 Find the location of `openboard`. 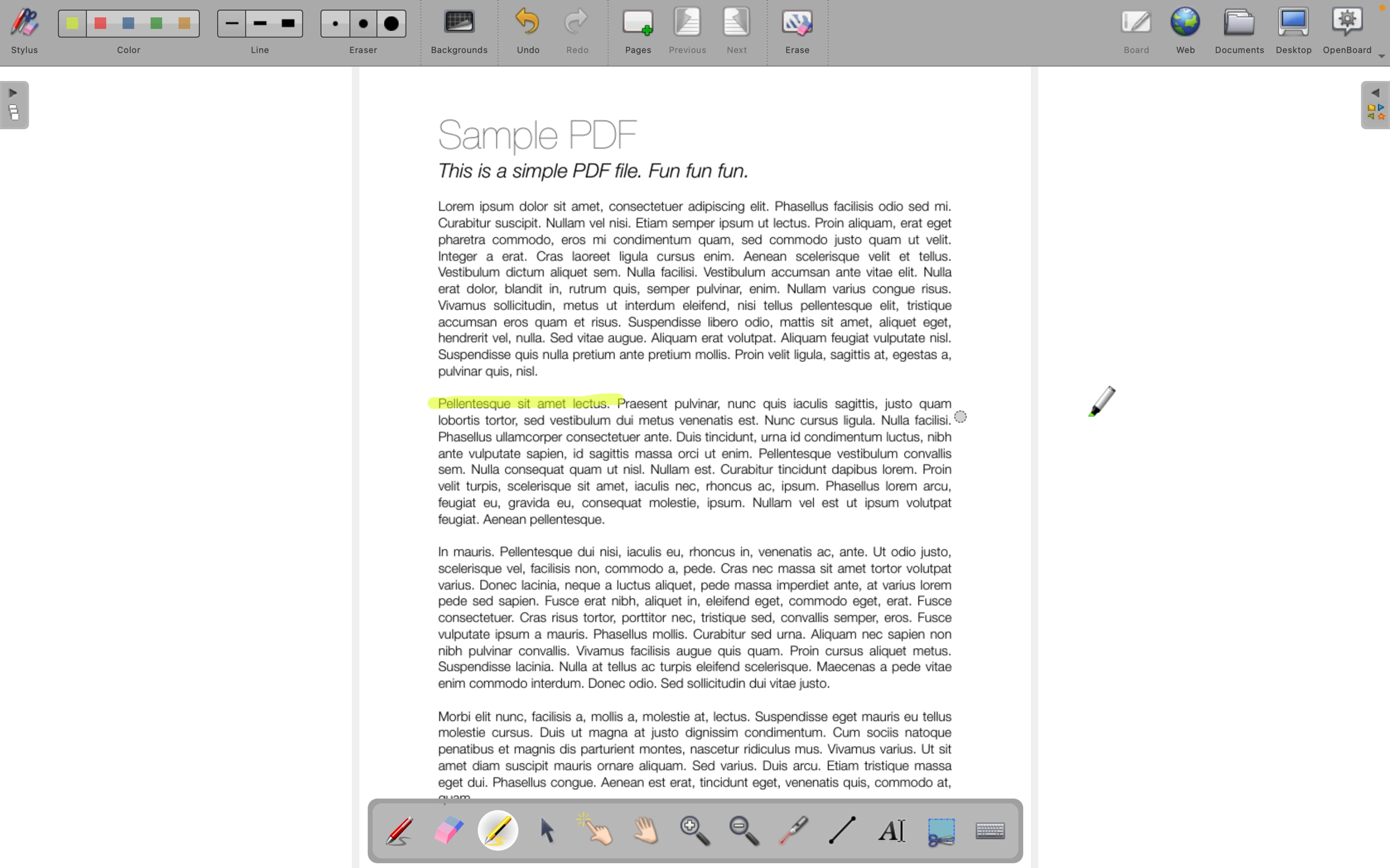

openboard is located at coordinates (1348, 29).